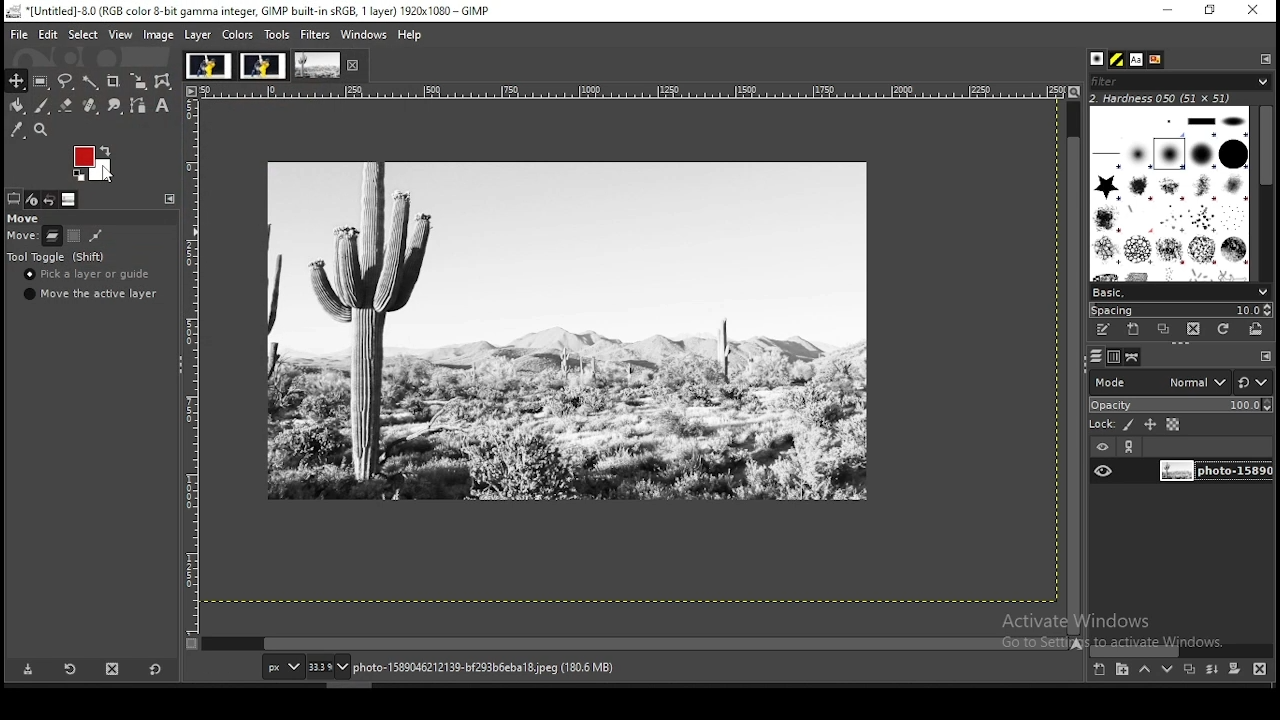 The width and height of the screenshot is (1280, 720). I want to click on units, so click(280, 666).